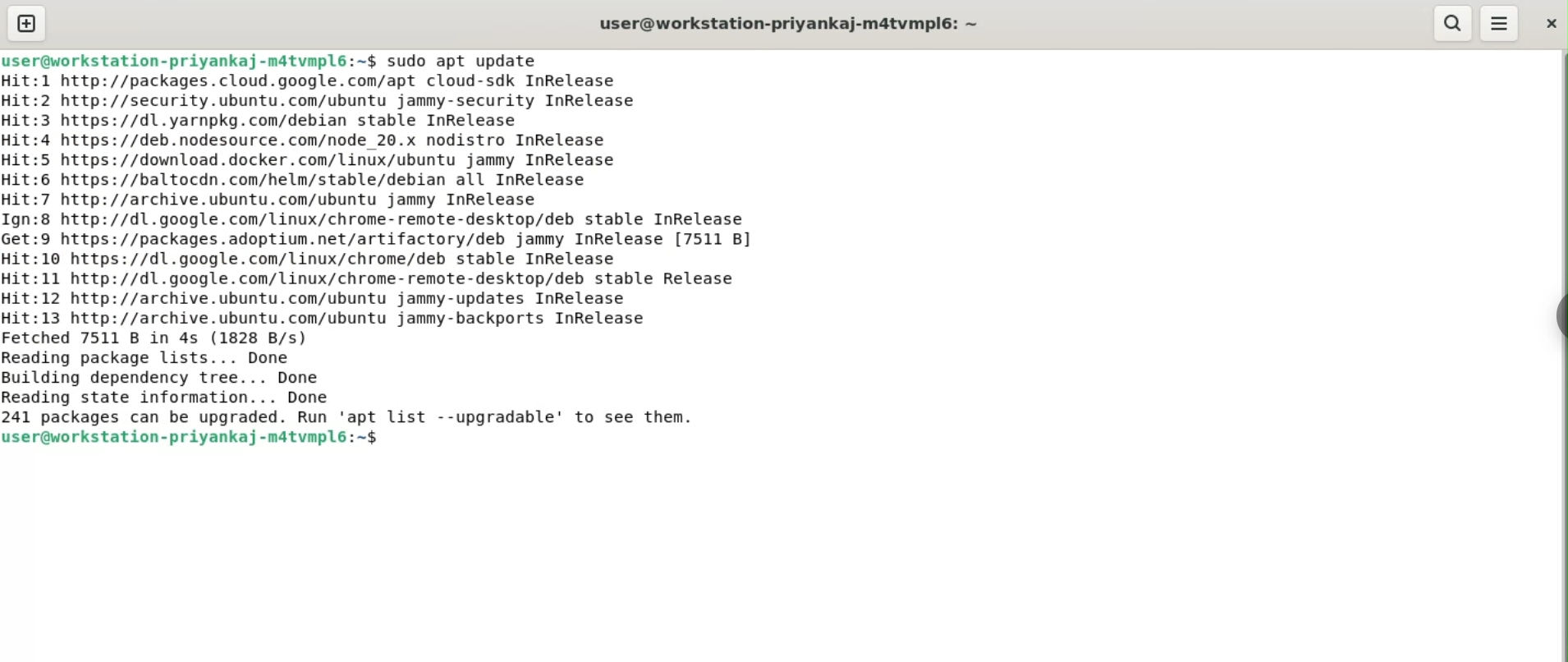 This screenshot has width=1568, height=662. I want to click on sudo apt update, so click(462, 61).